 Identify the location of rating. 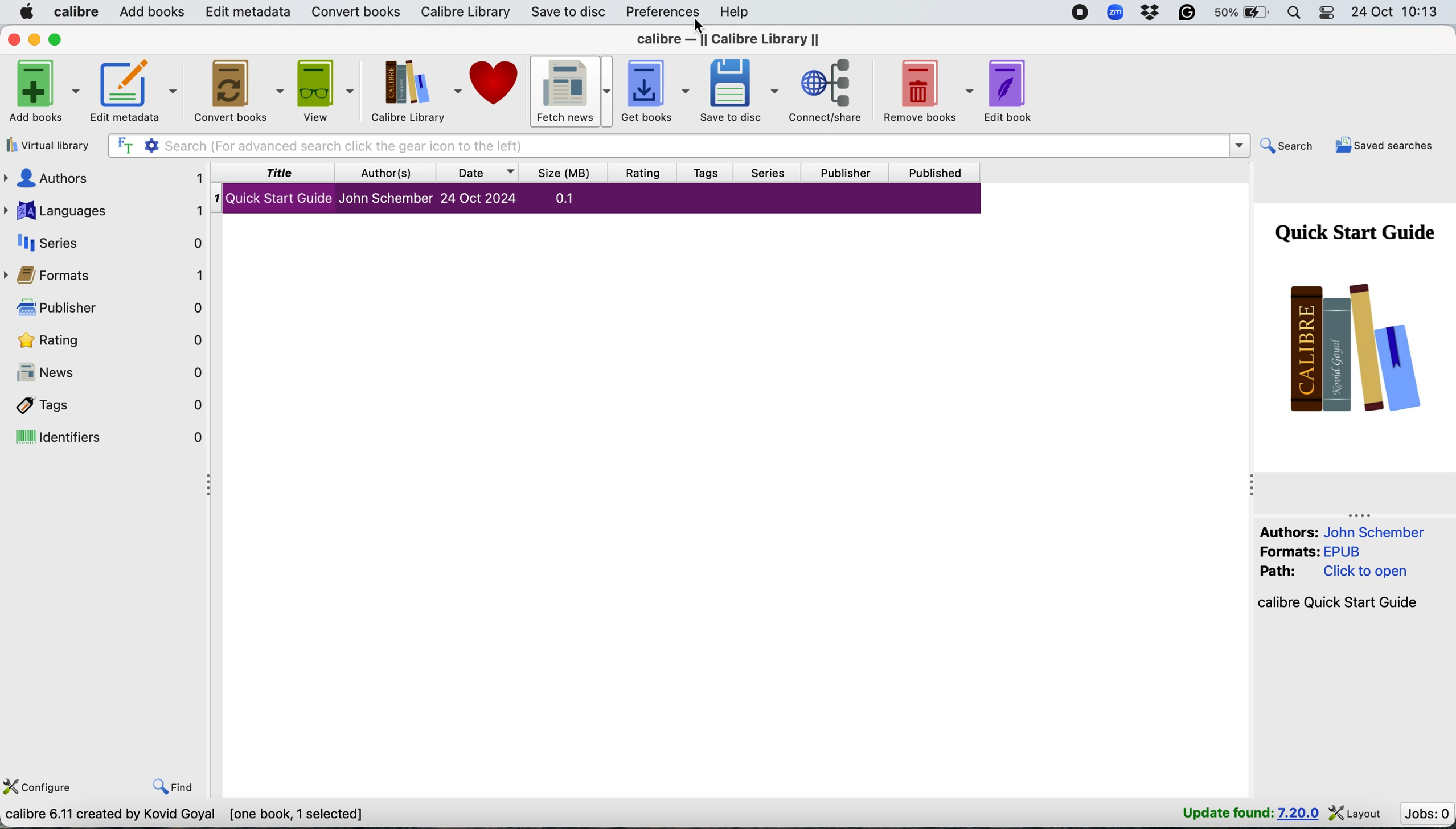
(112, 342).